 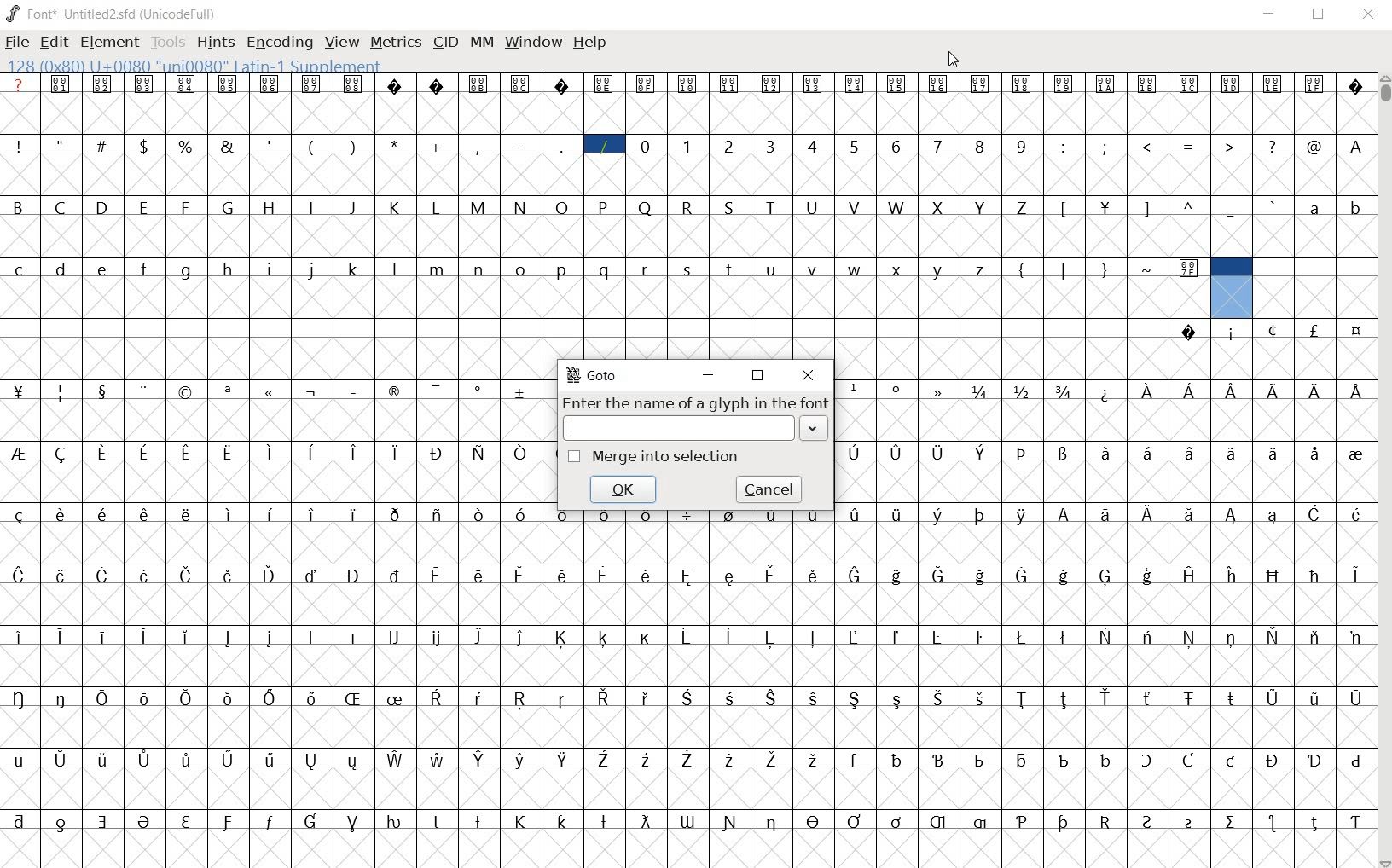 What do you see at coordinates (438, 637) in the screenshot?
I see `Symbol` at bounding box center [438, 637].